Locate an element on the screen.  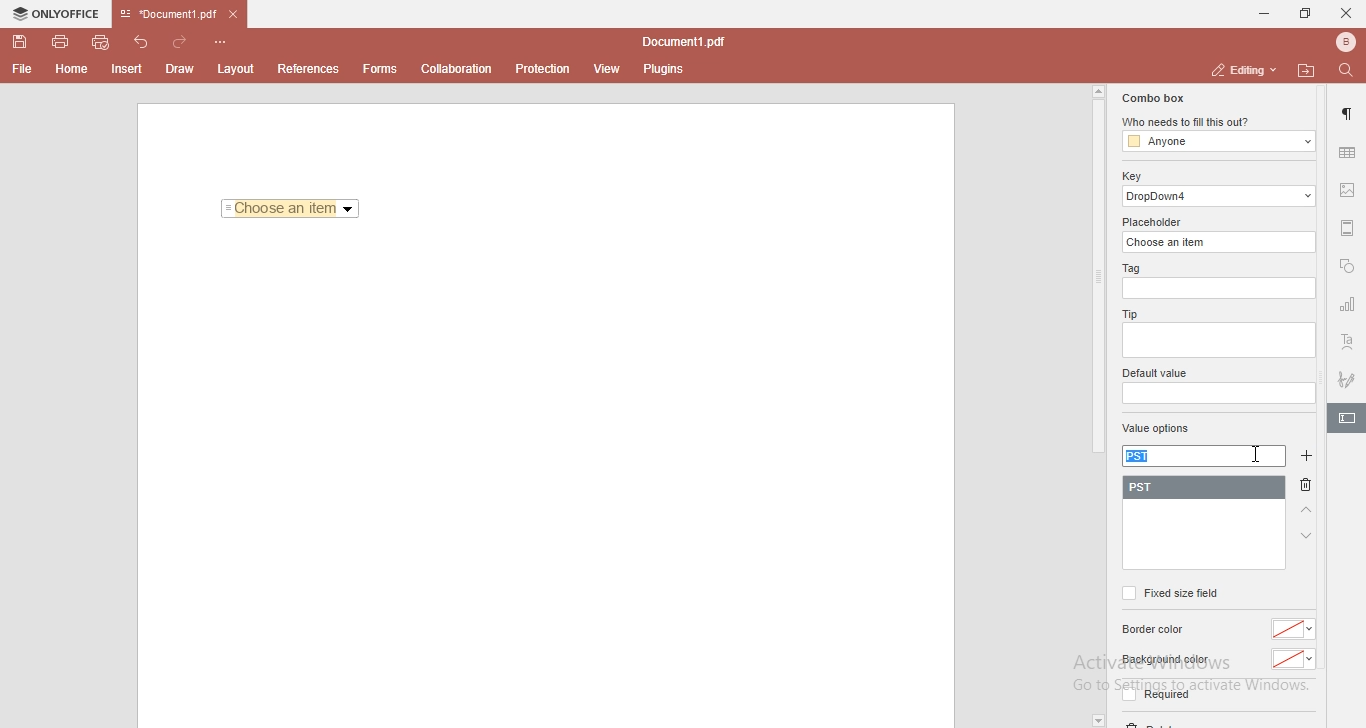
paragraph is located at coordinates (1349, 114).